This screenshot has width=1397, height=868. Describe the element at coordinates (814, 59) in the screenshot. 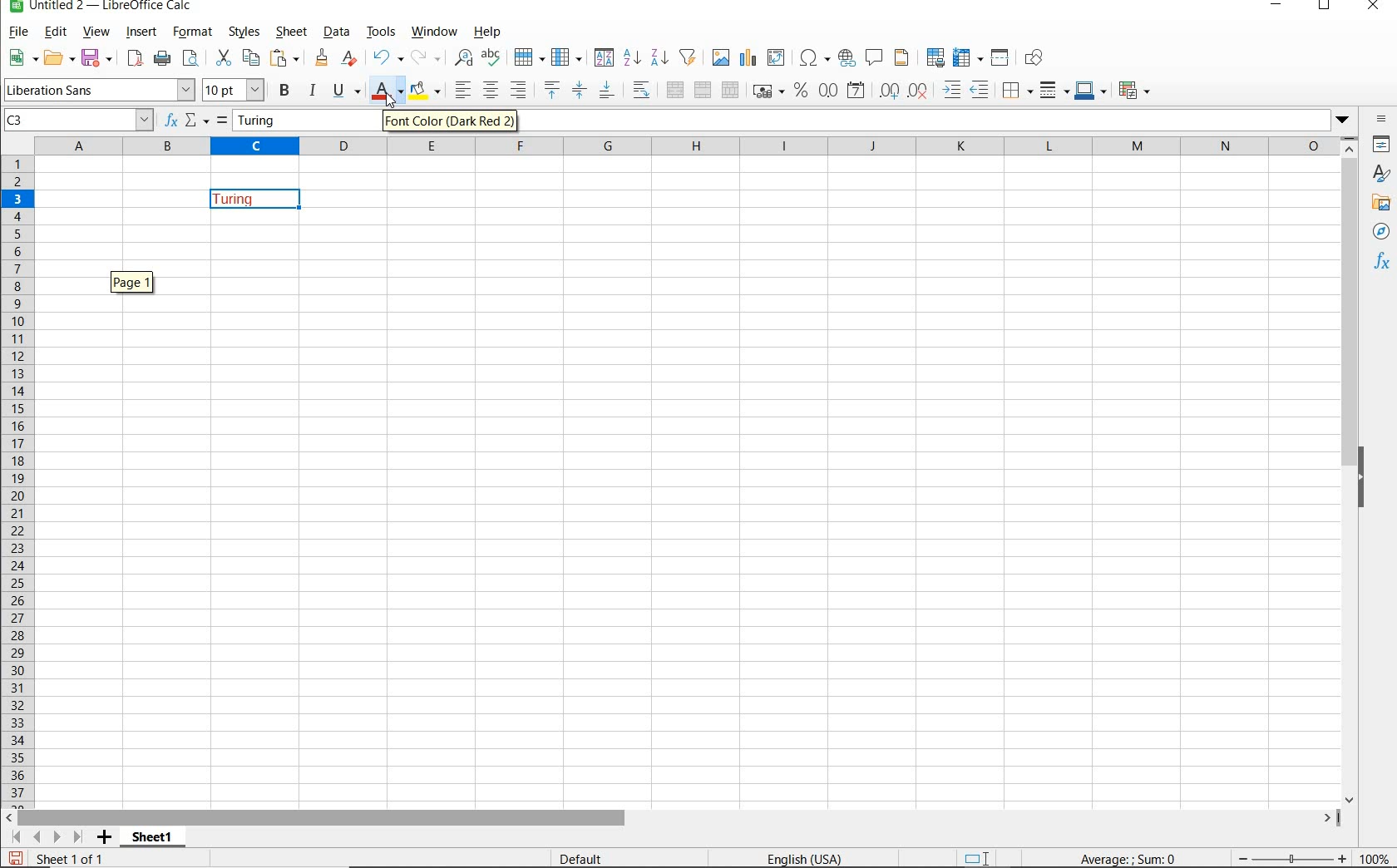

I see `INSERT SPECIAL CHARACTERS` at that location.